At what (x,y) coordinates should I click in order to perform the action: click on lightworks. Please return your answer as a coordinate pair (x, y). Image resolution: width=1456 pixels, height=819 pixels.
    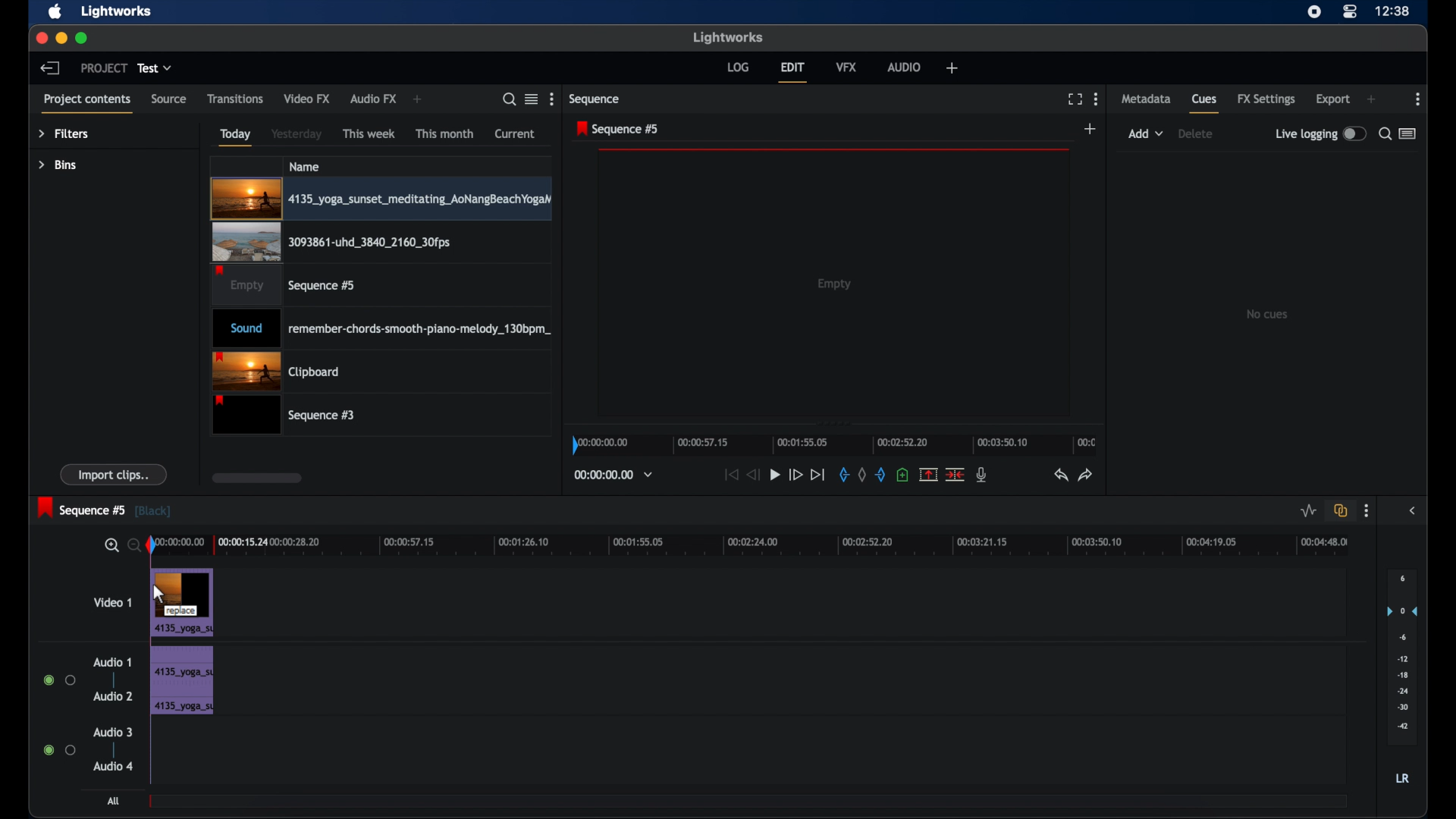
    Looking at the image, I should click on (728, 37).